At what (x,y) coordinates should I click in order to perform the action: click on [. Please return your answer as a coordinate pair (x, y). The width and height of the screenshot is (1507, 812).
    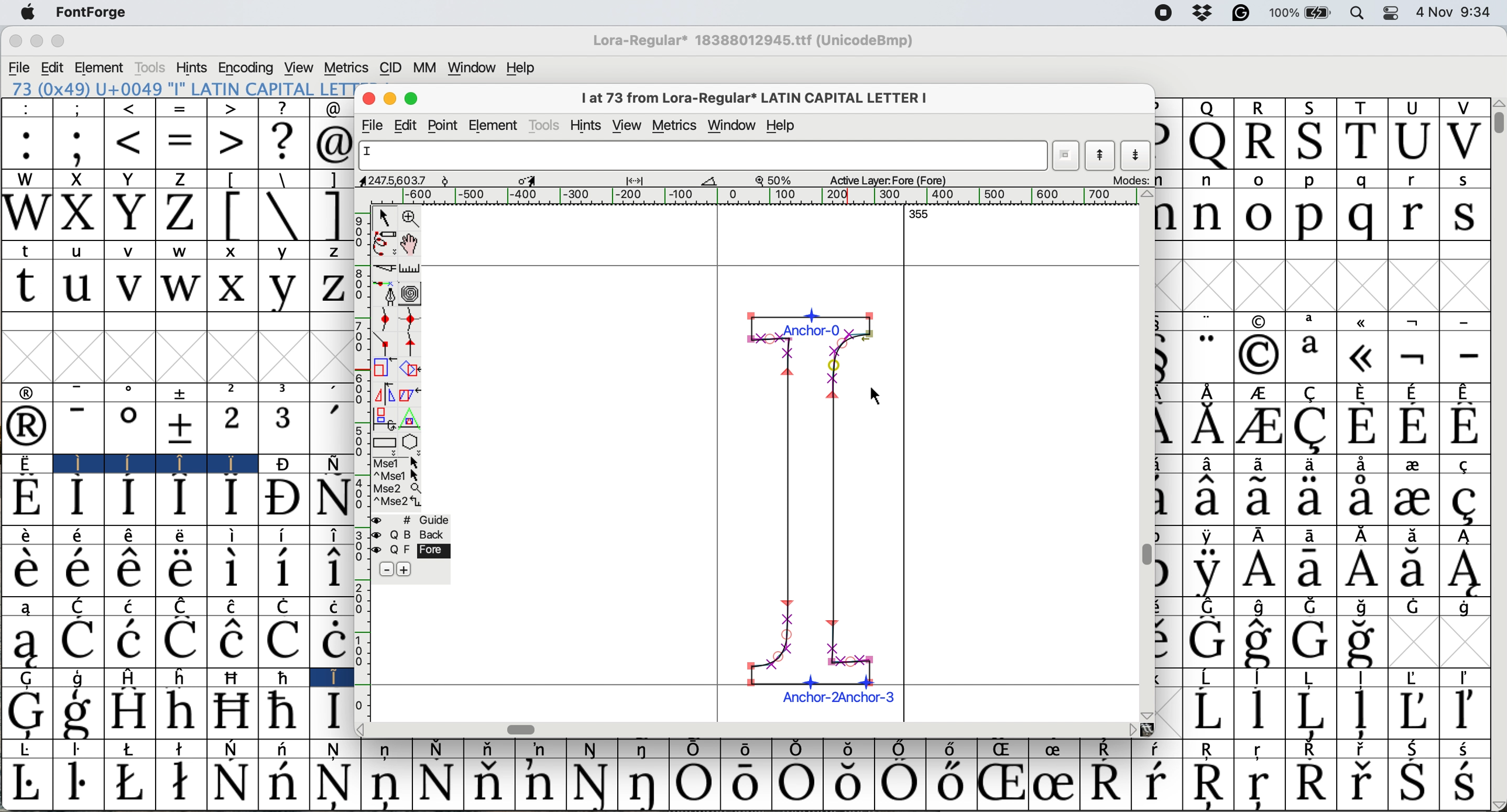
    Looking at the image, I should click on (232, 180).